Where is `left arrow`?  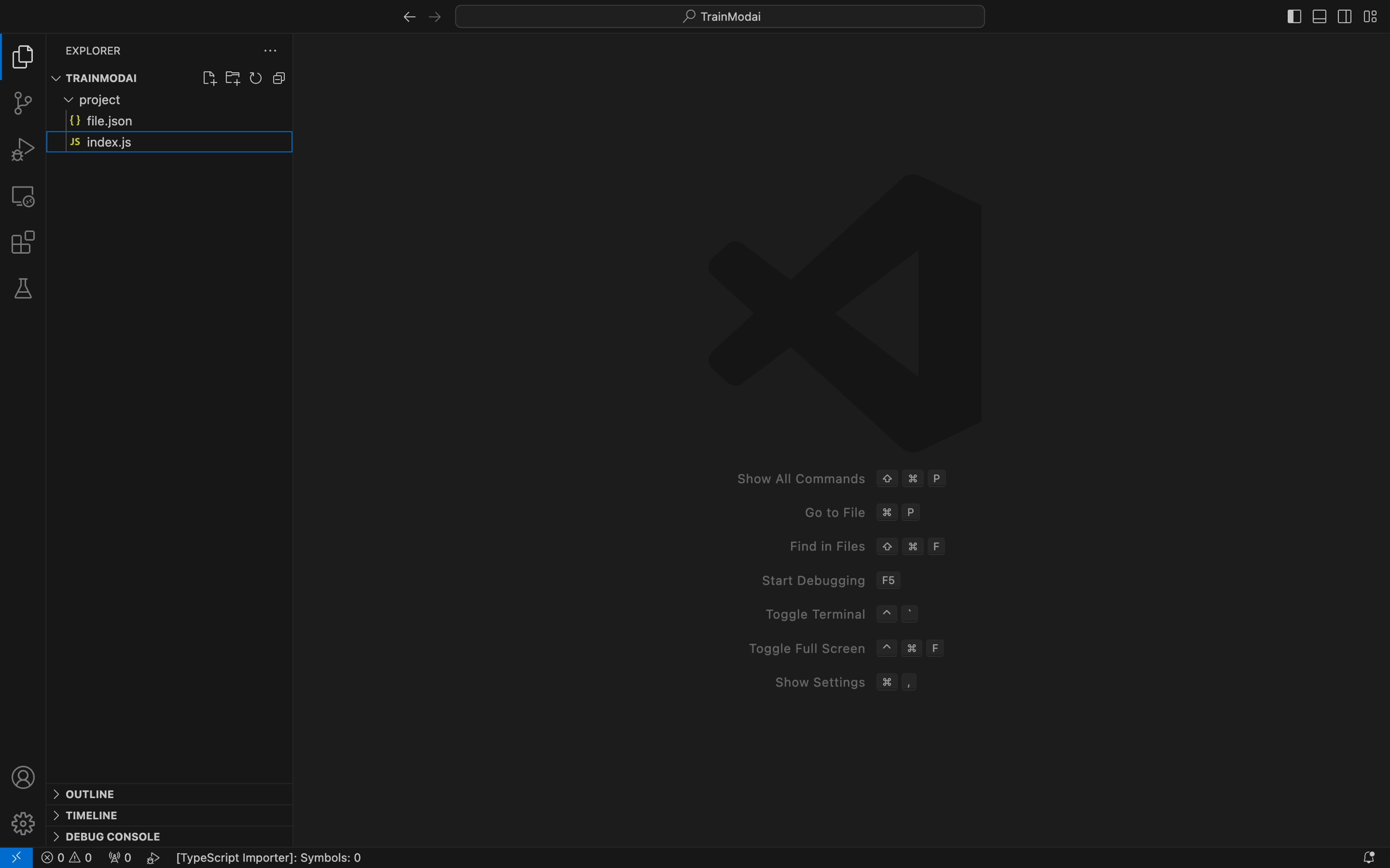 left arrow is located at coordinates (440, 14).